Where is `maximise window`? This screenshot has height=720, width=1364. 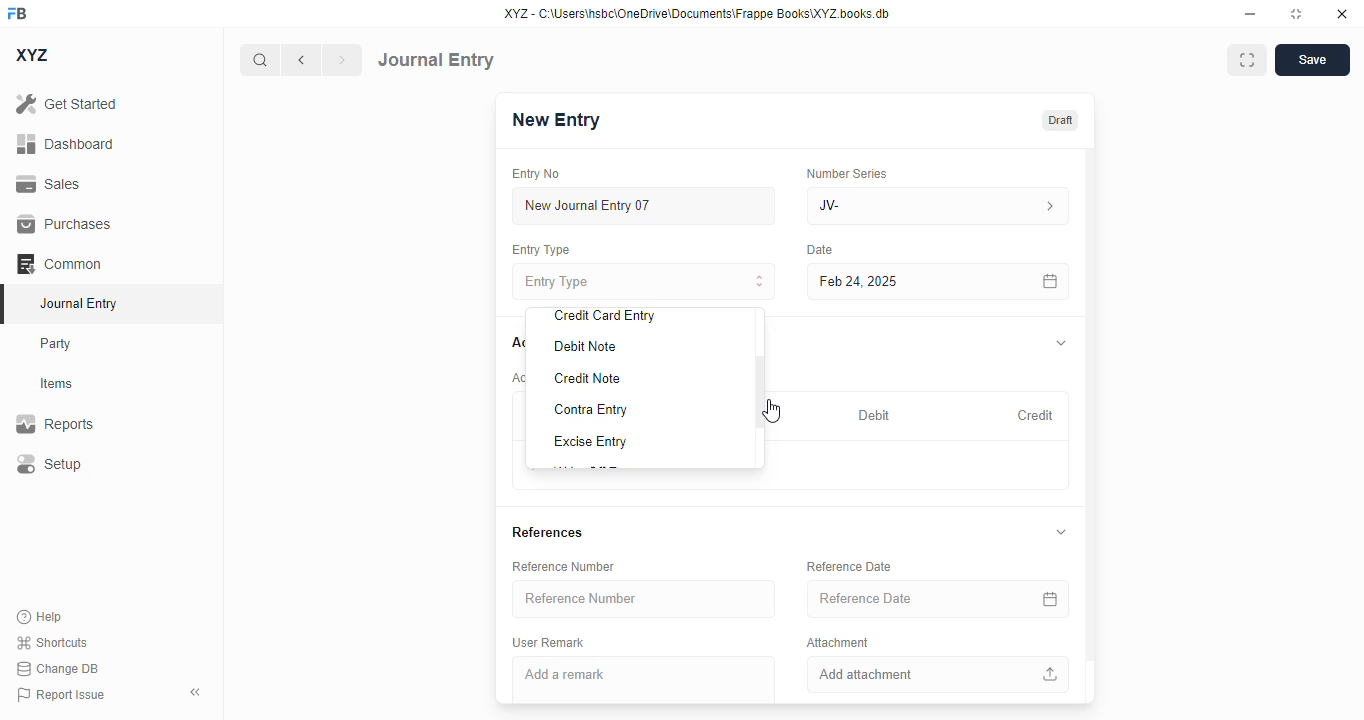 maximise window is located at coordinates (1247, 60).